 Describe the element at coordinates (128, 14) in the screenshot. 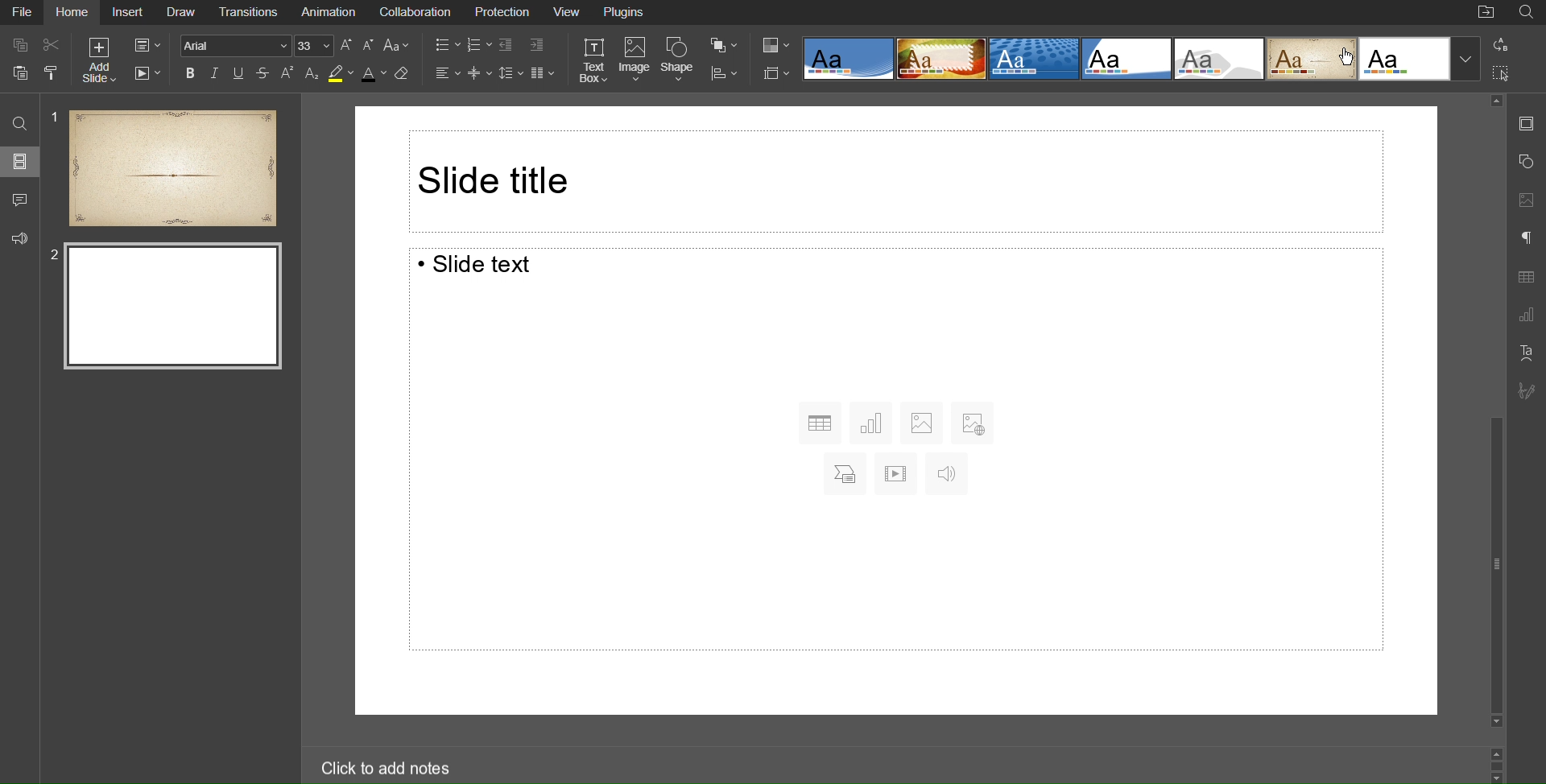

I see `Insert` at that location.